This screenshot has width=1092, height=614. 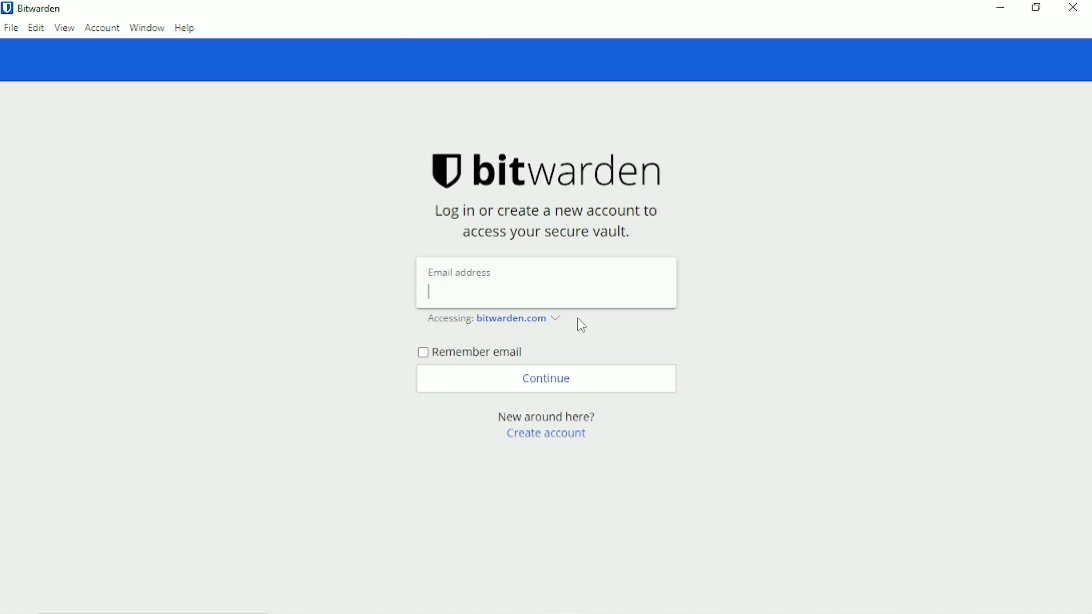 I want to click on New around here?, so click(x=551, y=417).